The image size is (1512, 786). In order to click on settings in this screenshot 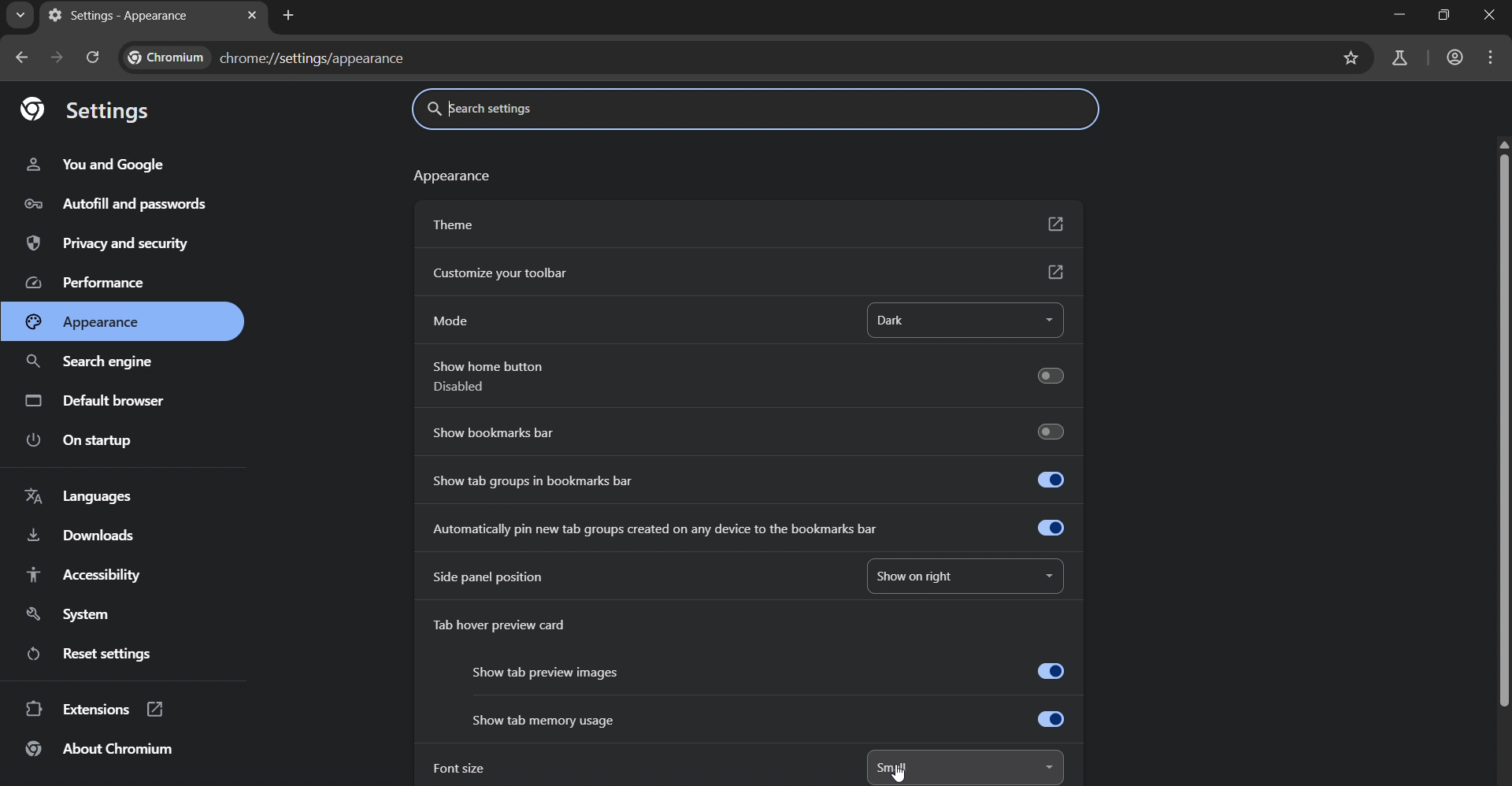, I will do `click(90, 109)`.